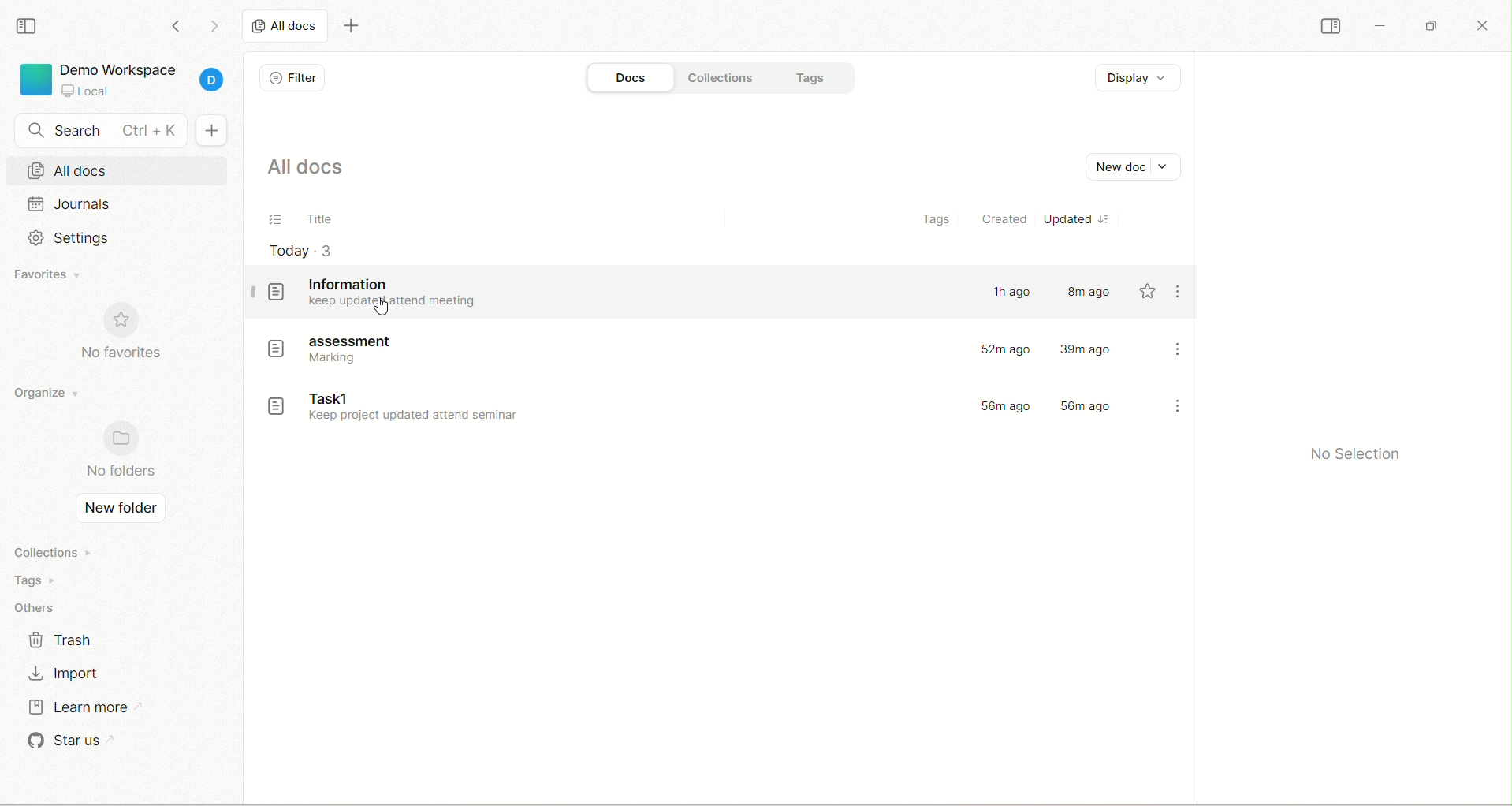  What do you see at coordinates (1009, 406) in the screenshot?
I see `56m ago` at bounding box center [1009, 406].